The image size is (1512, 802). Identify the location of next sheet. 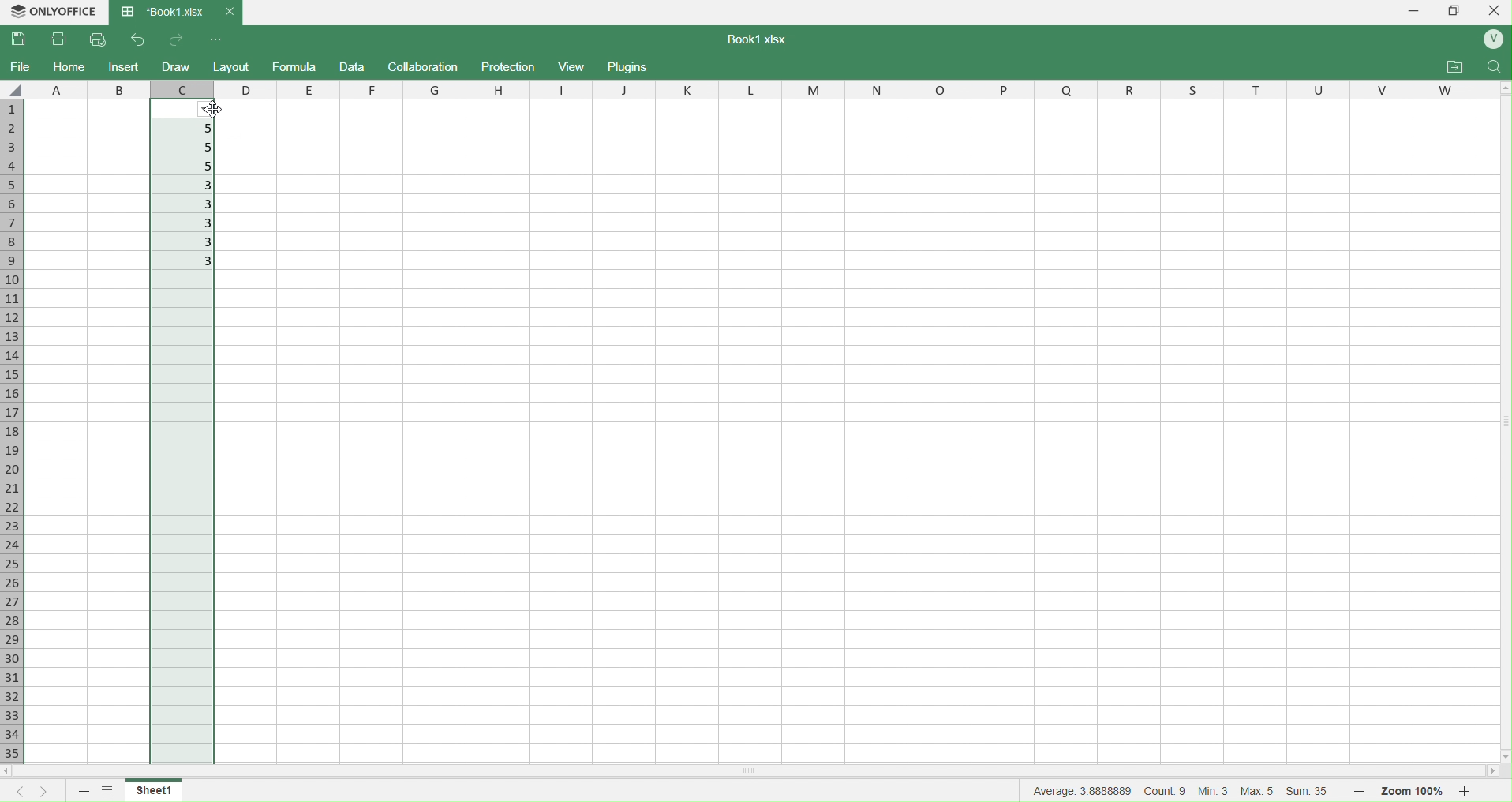
(49, 792).